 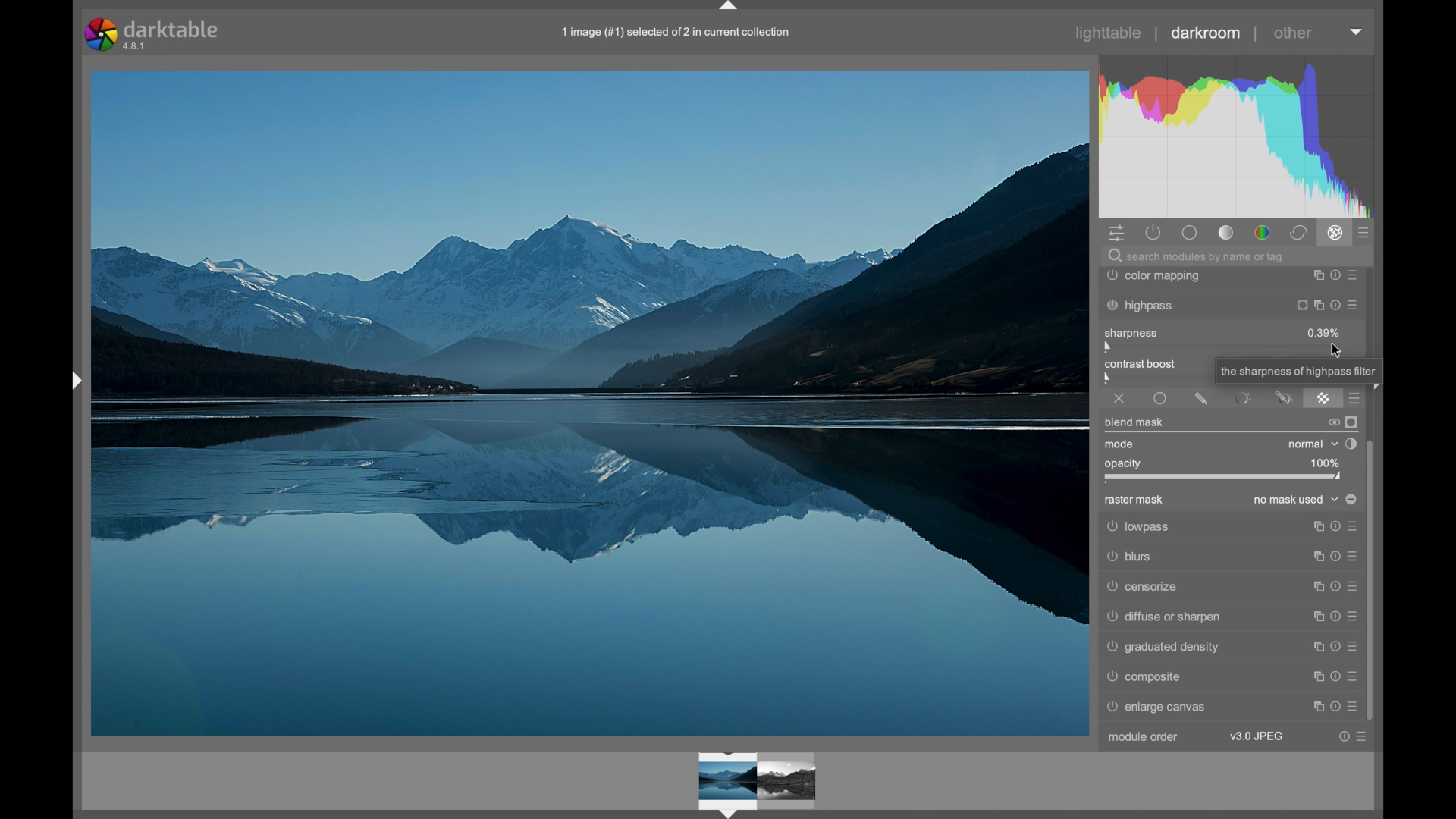 I want to click on darktable, so click(x=153, y=34).